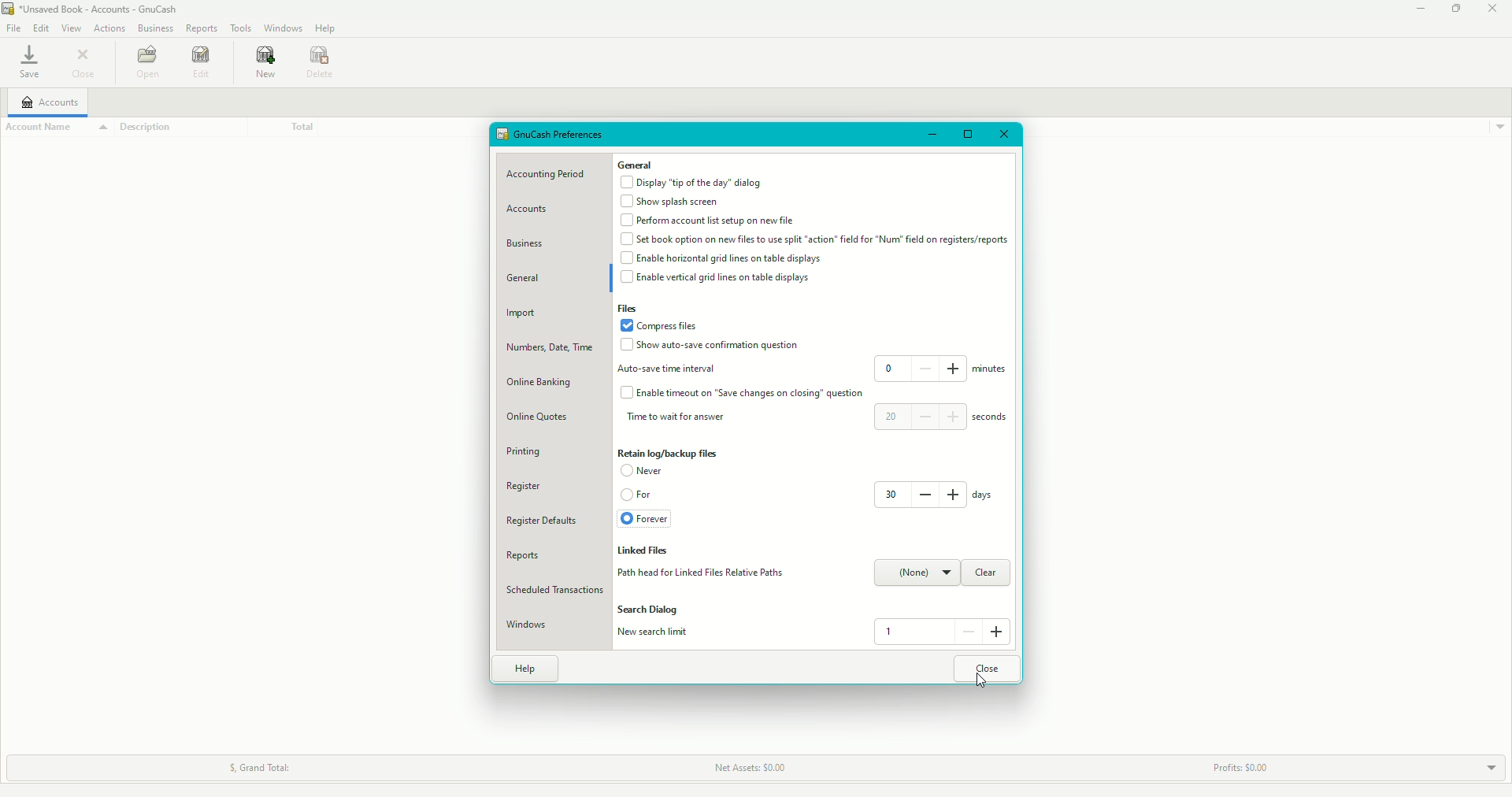 This screenshot has height=797, width=1512. What do you see at coordinates (542, 521) in the screenshot?
I see `Register Defaults` at bounding box center [542, 521].